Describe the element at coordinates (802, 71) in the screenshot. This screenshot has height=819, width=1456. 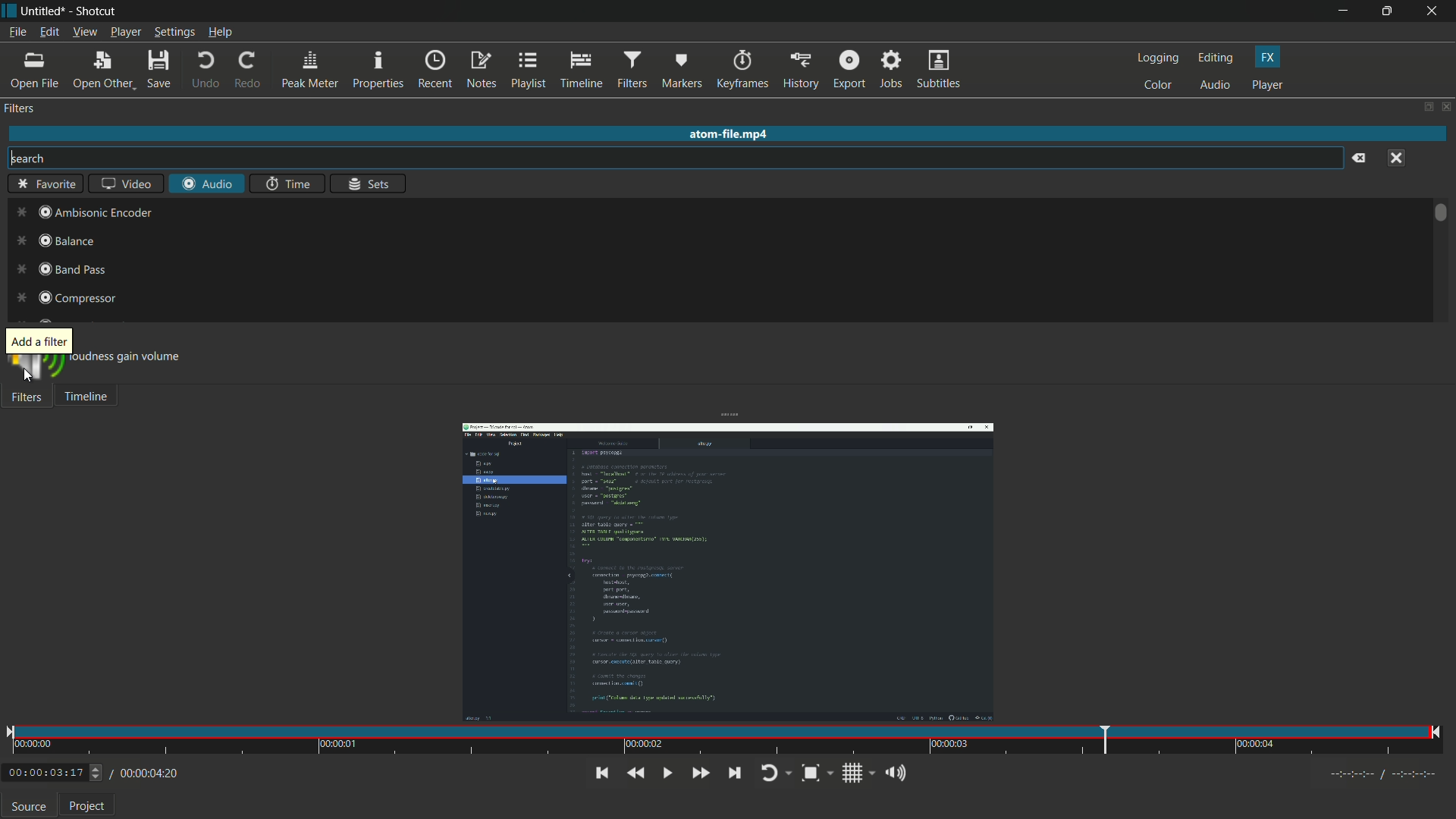
I see `history` at that location.